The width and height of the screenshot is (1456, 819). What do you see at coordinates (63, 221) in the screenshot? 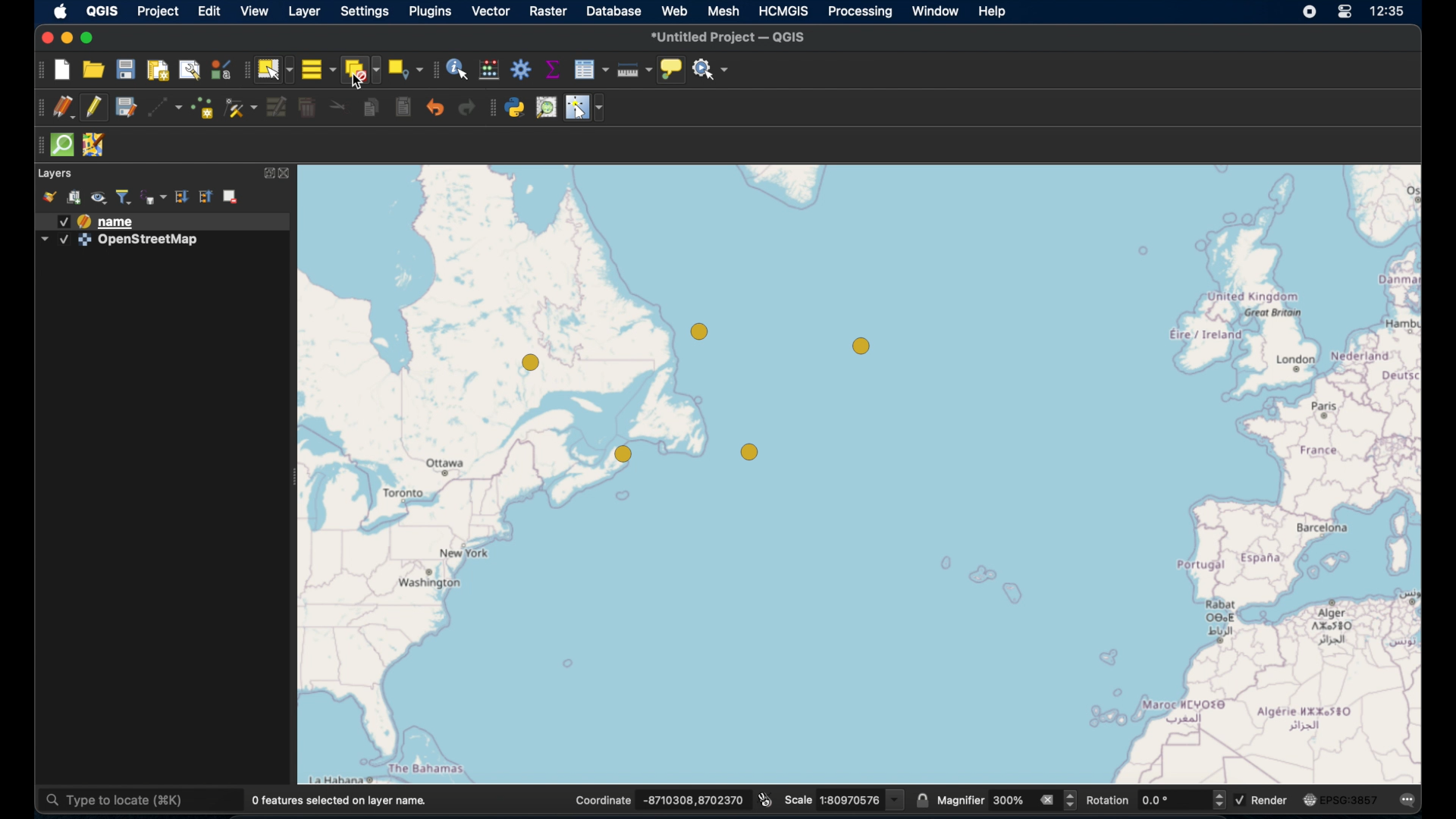
I see `checked checkbox` at bounding box center [63, 221].